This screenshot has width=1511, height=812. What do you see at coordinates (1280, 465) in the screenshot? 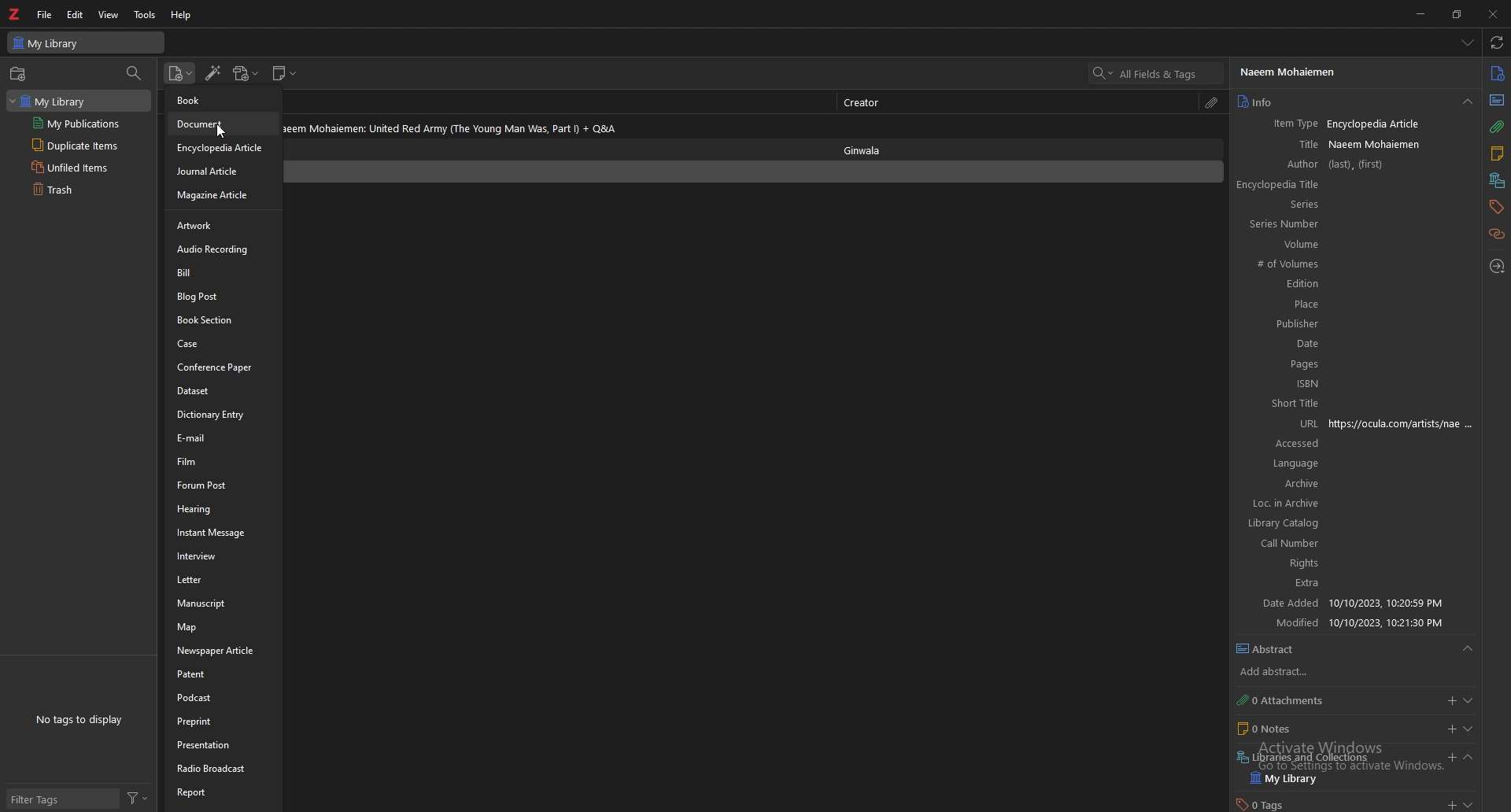
I see `language` at bounding box center [1280, 465].